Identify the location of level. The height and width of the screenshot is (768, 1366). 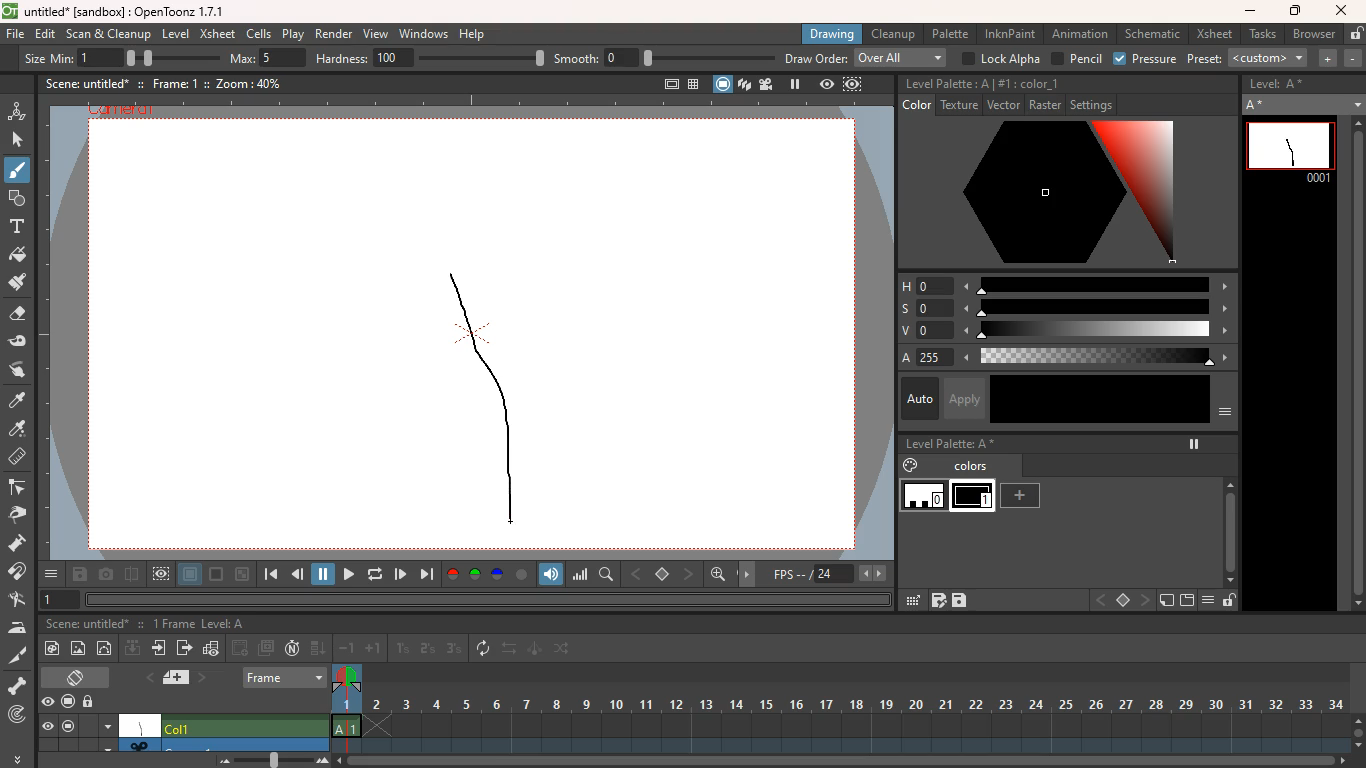
(975, 497).